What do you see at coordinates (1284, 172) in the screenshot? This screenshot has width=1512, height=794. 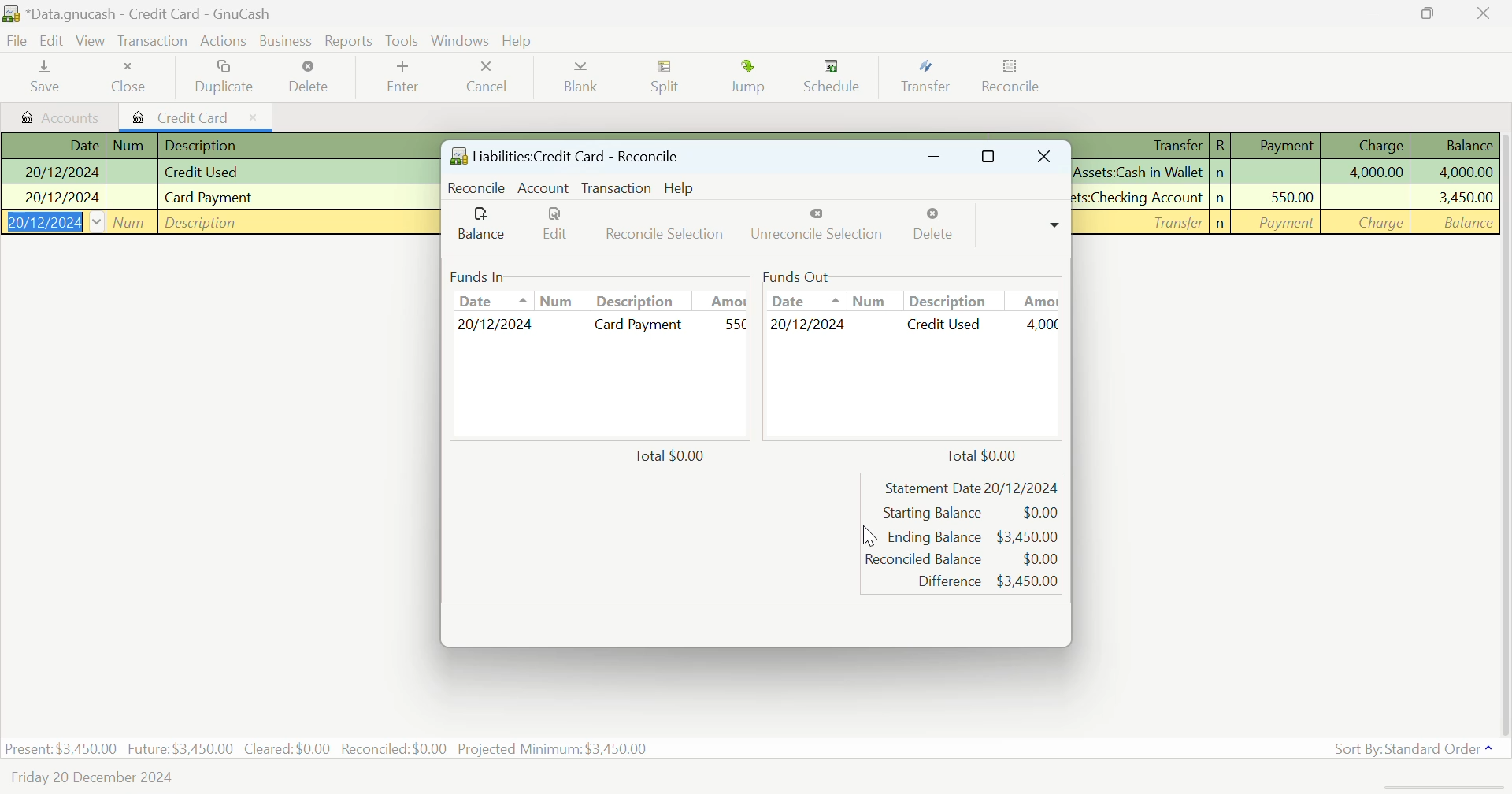 I see `Credit Used` at bounding box center [1284, 172].